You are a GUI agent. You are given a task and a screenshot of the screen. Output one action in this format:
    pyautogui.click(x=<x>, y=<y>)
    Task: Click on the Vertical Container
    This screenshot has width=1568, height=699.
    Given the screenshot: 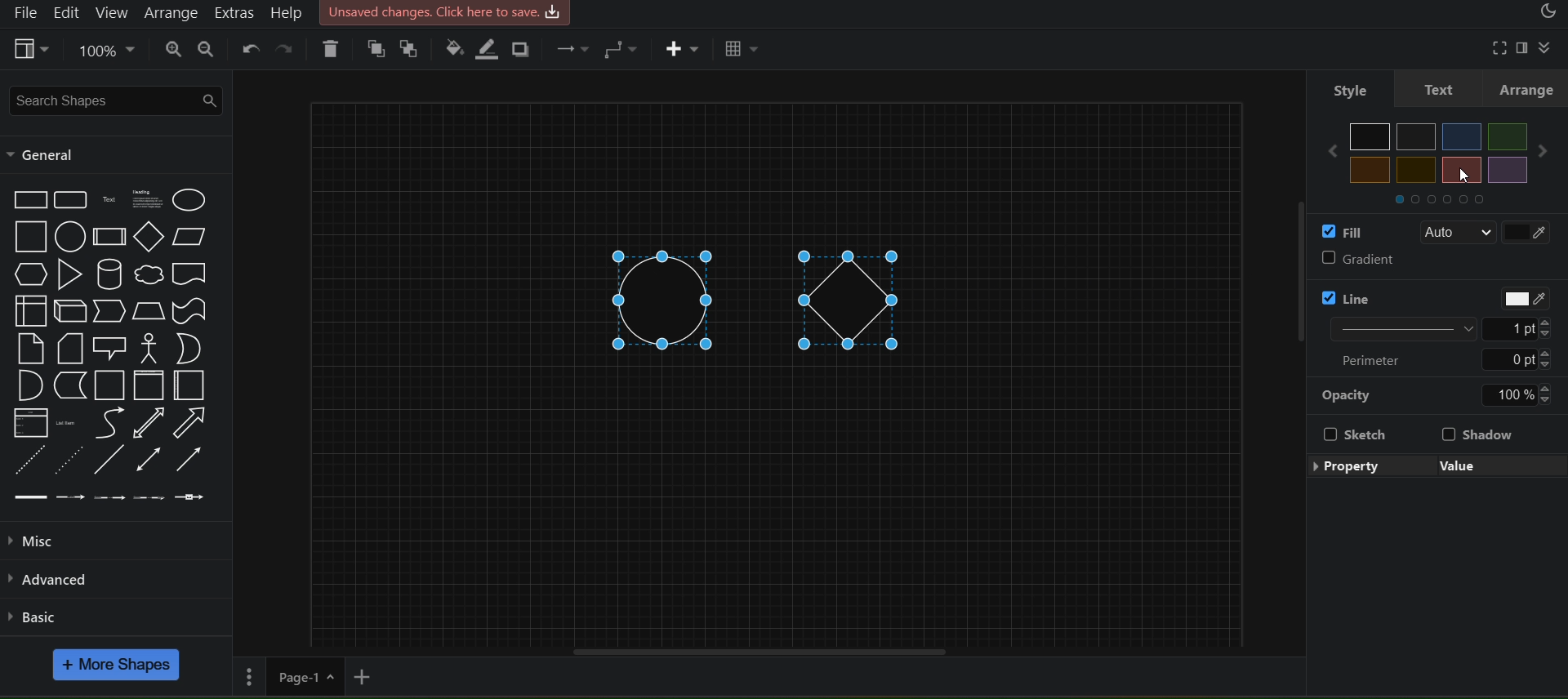 What is the action you would take?
    pyautogui.click(x=149, y=384)
    